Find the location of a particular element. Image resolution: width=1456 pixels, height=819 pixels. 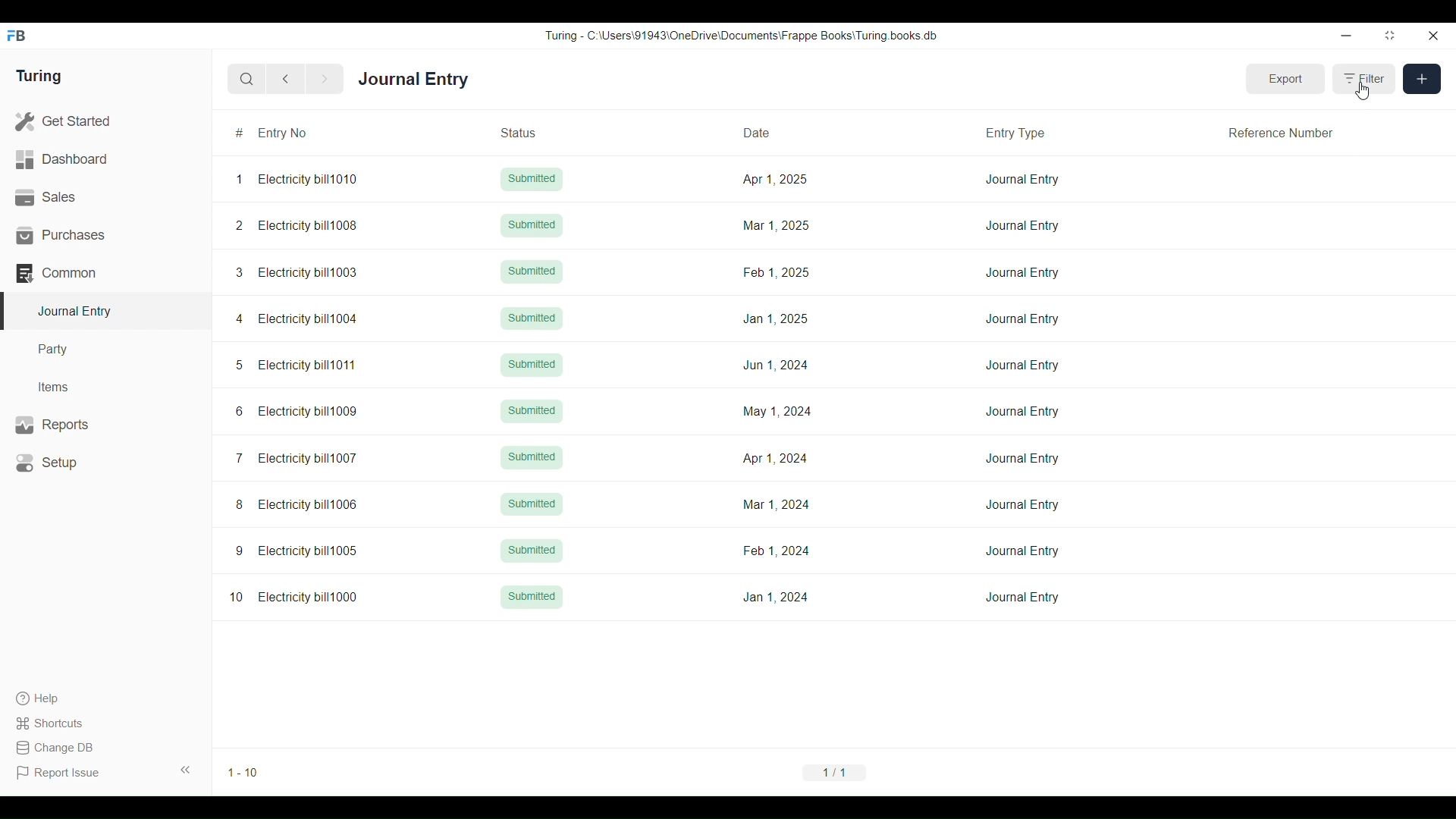

Mar 1, 2025 is located at coordinates (774, 225).